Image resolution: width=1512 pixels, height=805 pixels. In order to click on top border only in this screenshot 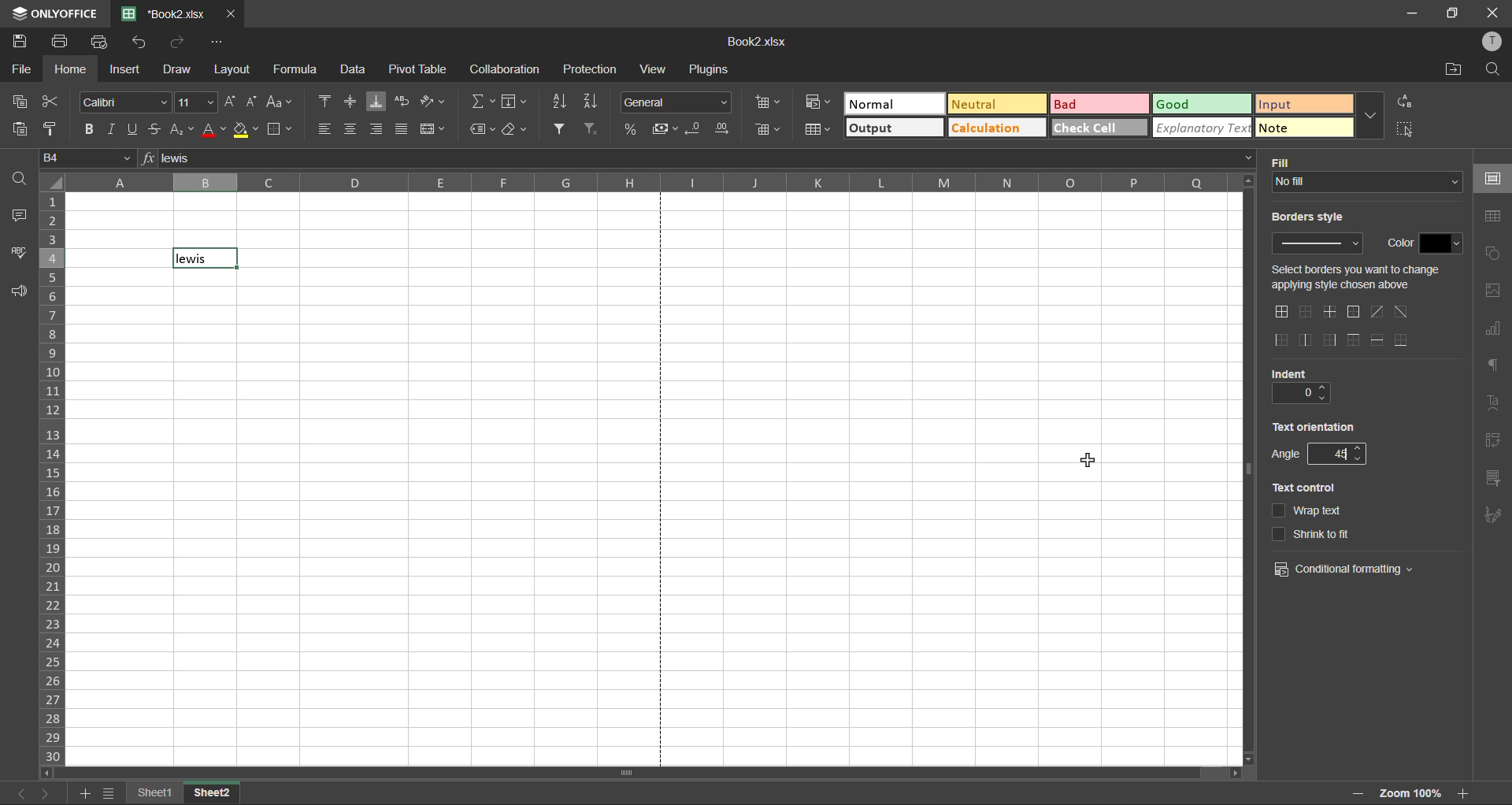, I will do `click(1356, 339)`.